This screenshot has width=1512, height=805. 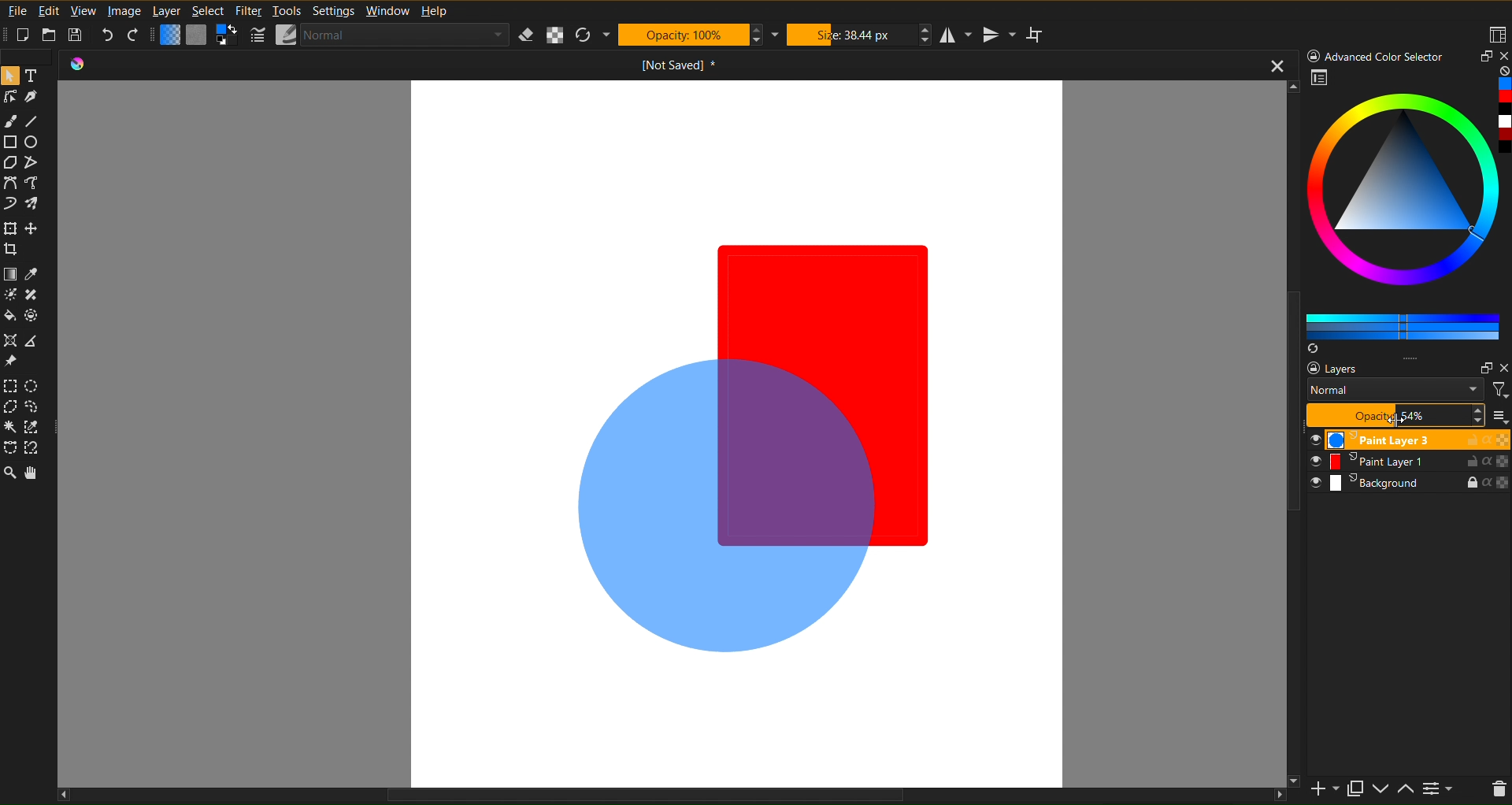 I want to click on Normal, so click(x=1394, y=390).